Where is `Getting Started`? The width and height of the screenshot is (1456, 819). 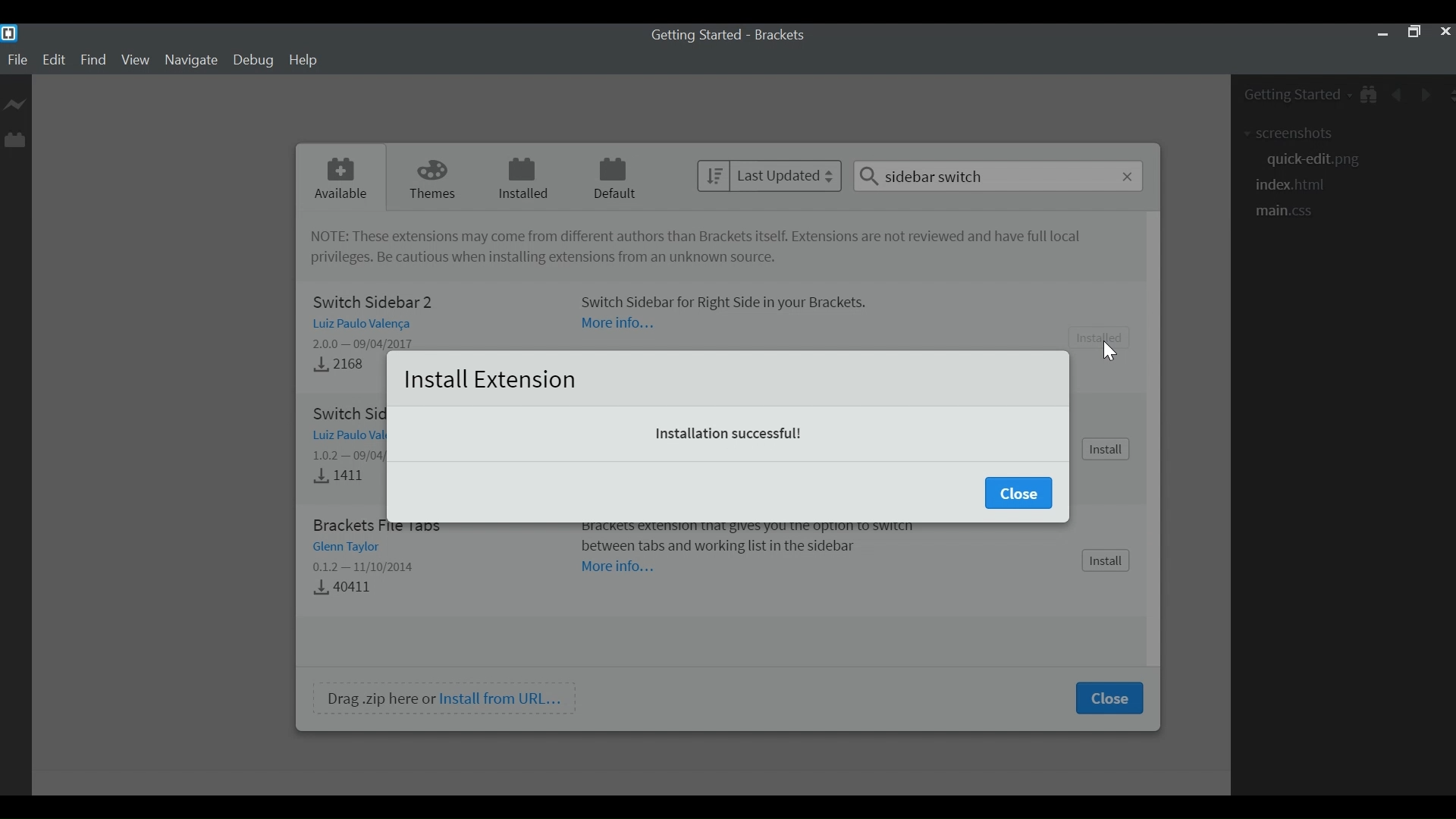
Getting Started is located at coordinates (1296, 97).